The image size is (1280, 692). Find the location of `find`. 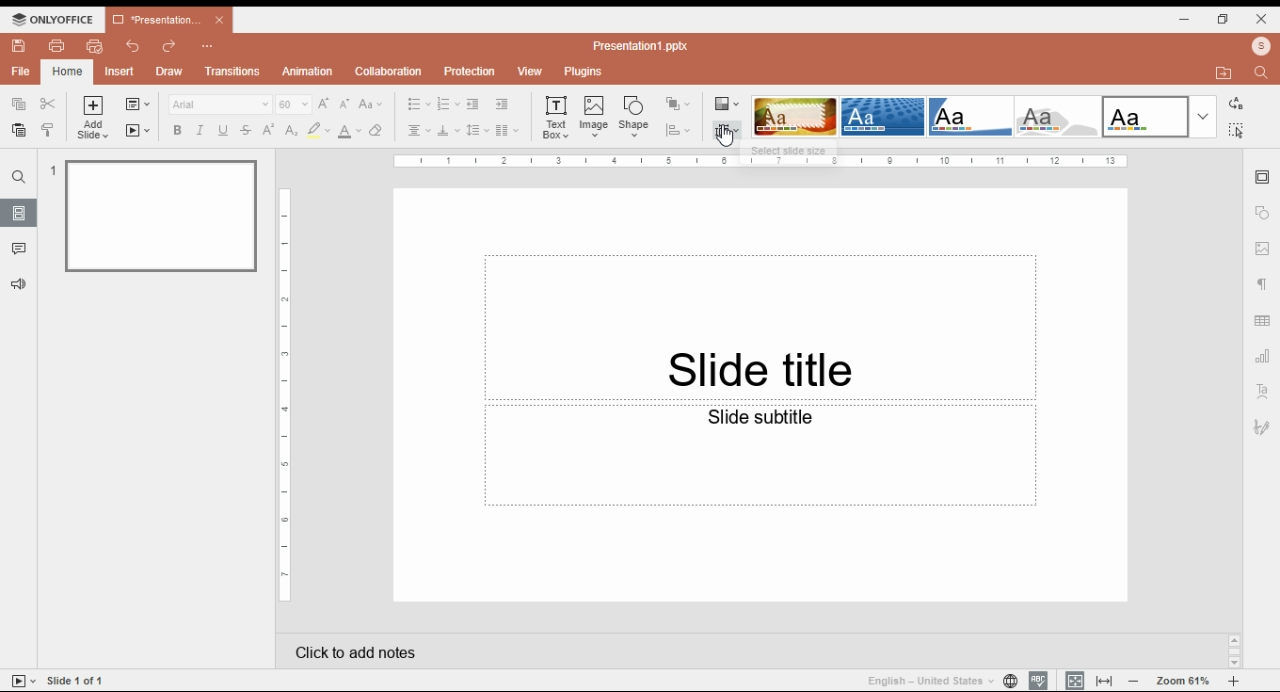

find is located at coordinates (19, 177).